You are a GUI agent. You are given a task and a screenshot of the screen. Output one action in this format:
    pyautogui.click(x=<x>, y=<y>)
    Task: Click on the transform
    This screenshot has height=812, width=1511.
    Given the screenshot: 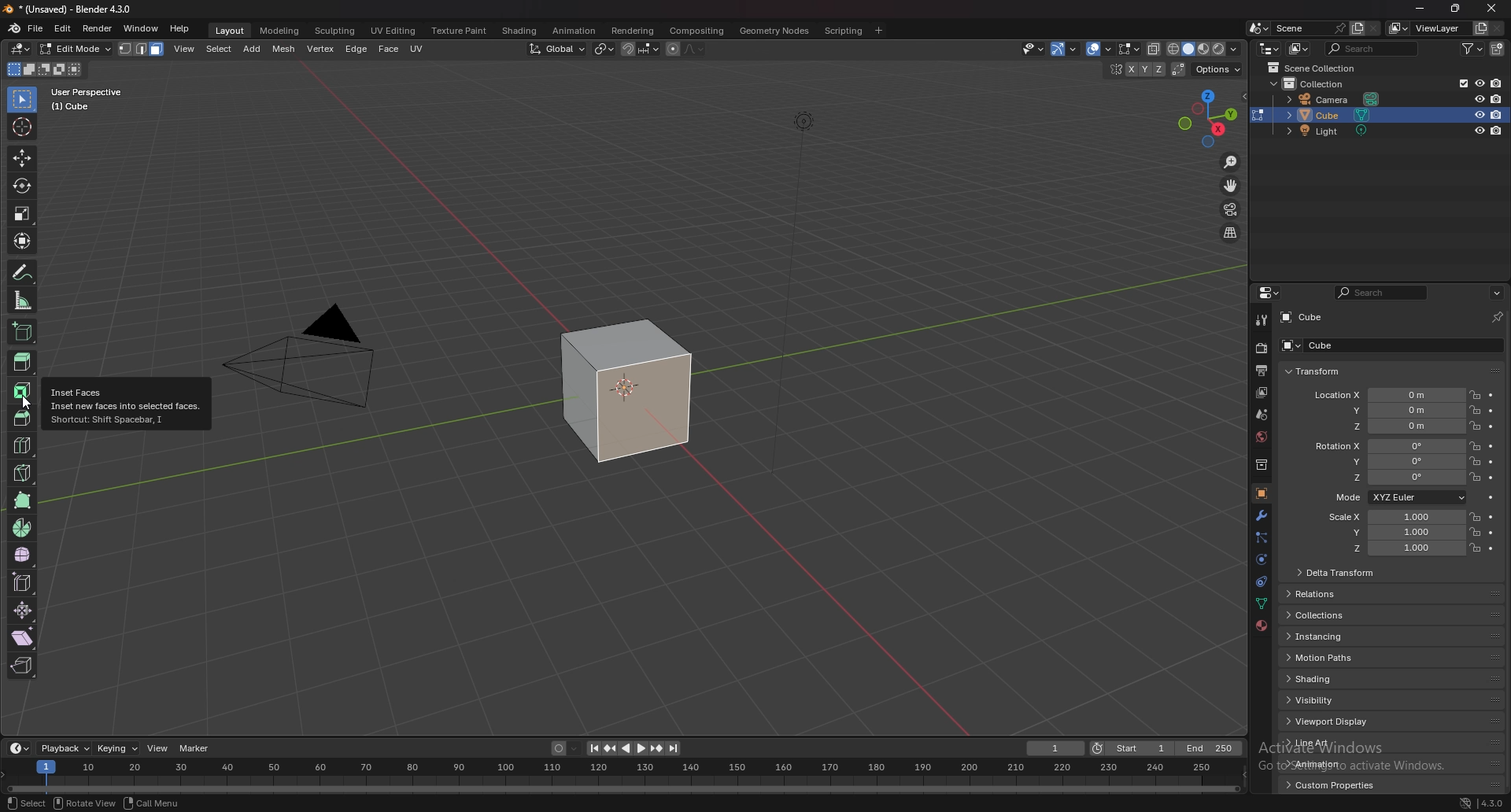 What is the action you would take?
    pyautogui.click(x=24, y=241)
    